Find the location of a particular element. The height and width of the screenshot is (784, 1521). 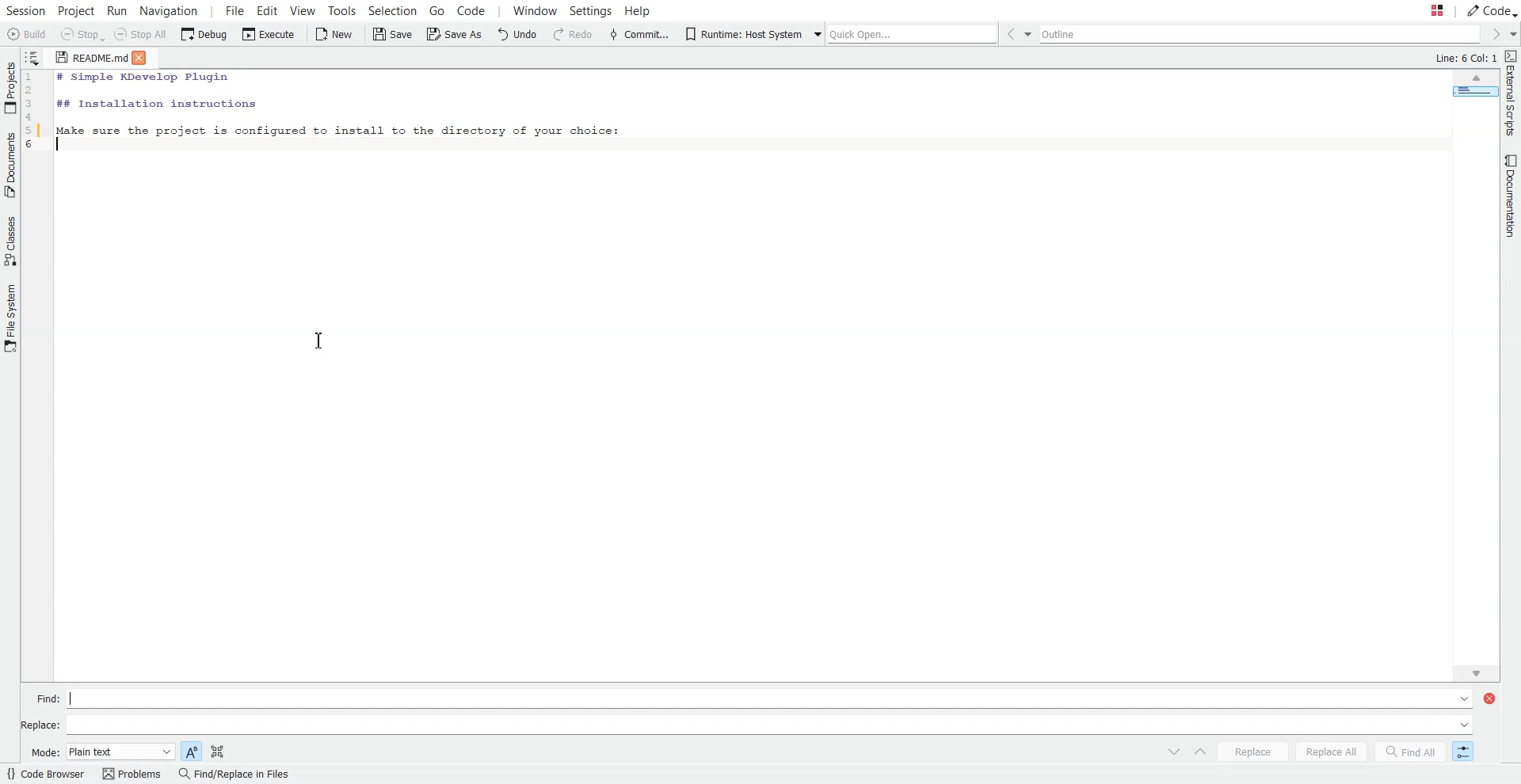

Save is located at coordinates (391, 34).